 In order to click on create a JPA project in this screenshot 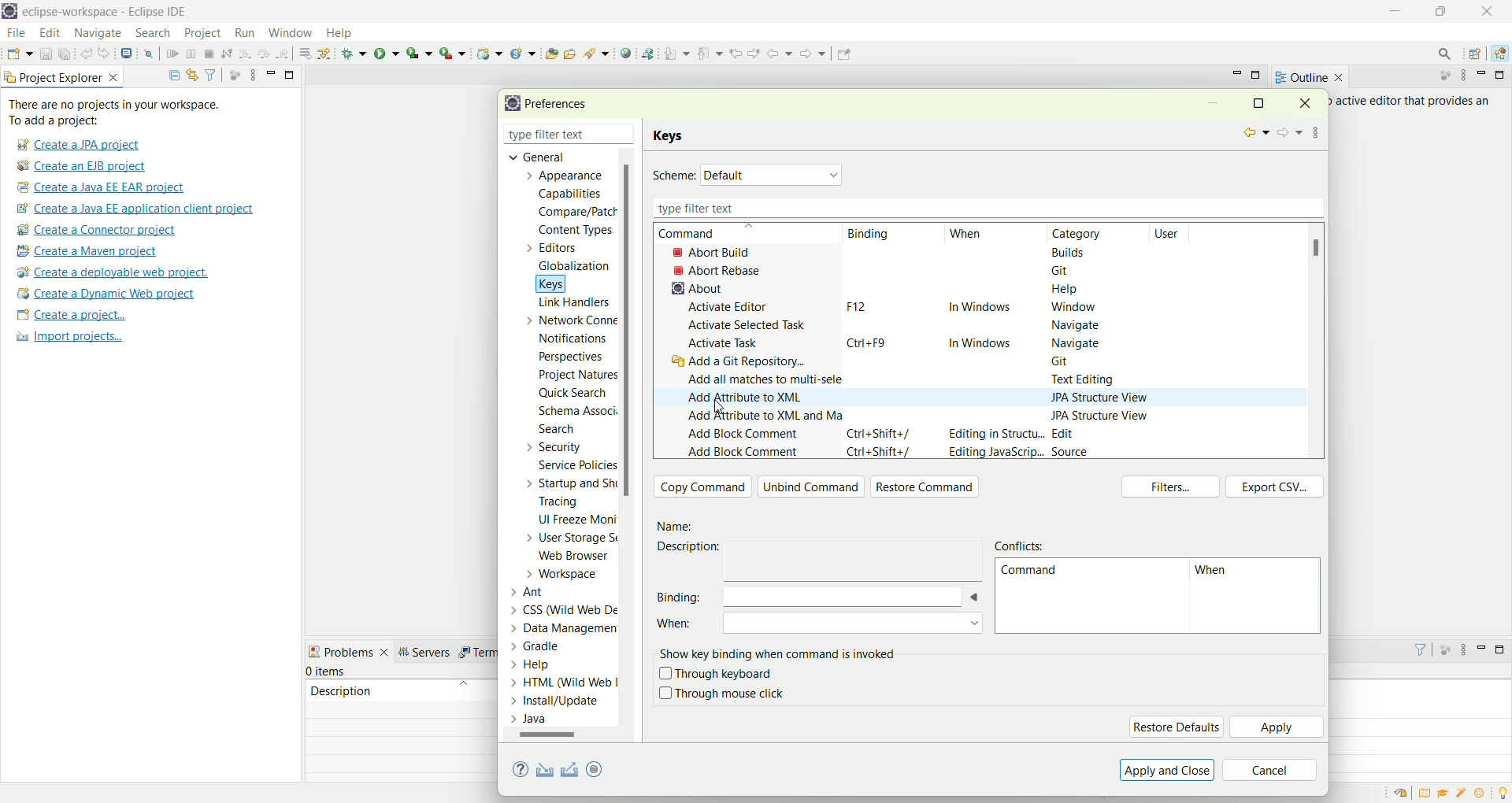, I will do `click(76, 145)`.